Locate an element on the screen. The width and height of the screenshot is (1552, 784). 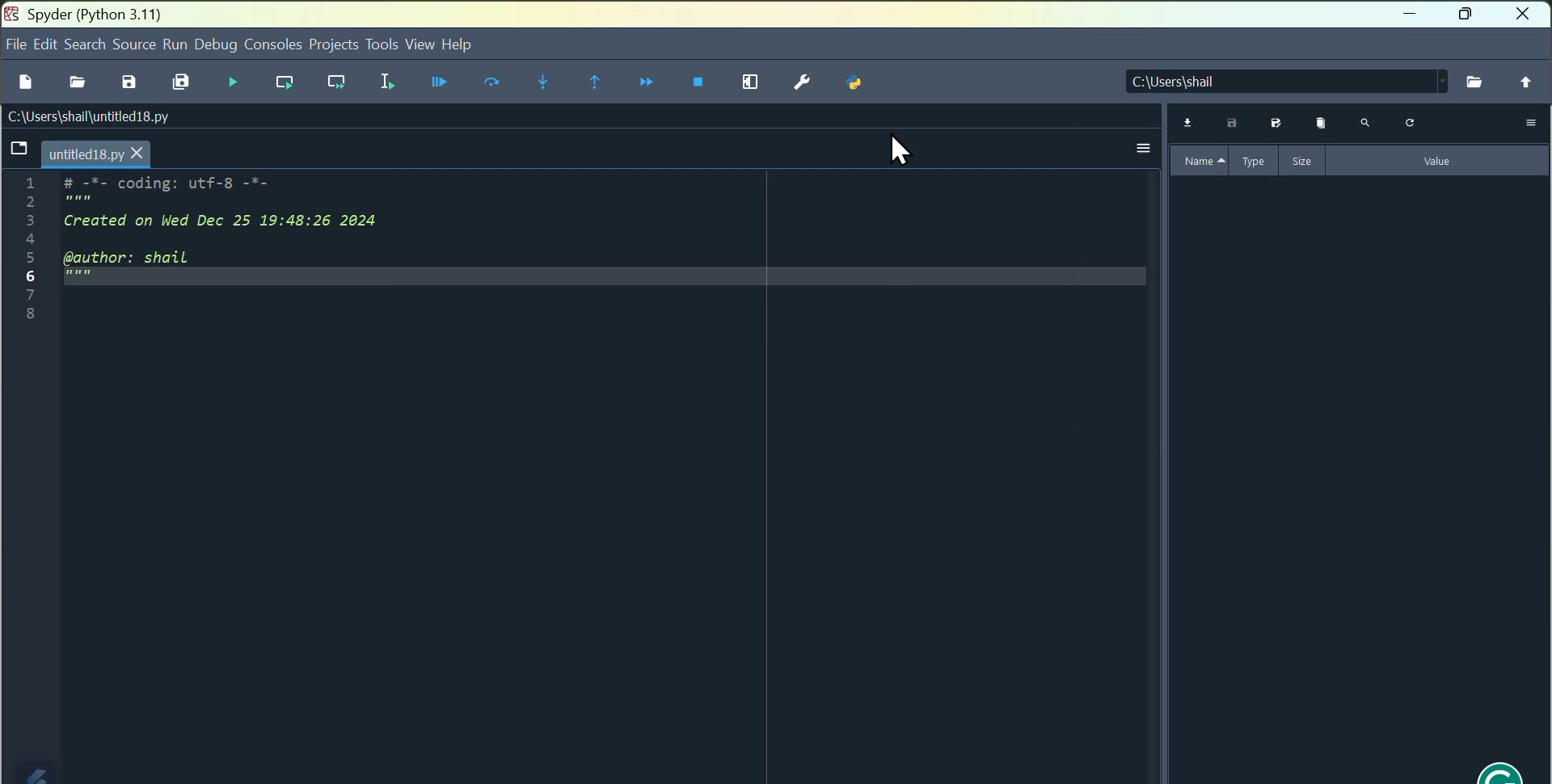
project is located at coordinates (333, 43).